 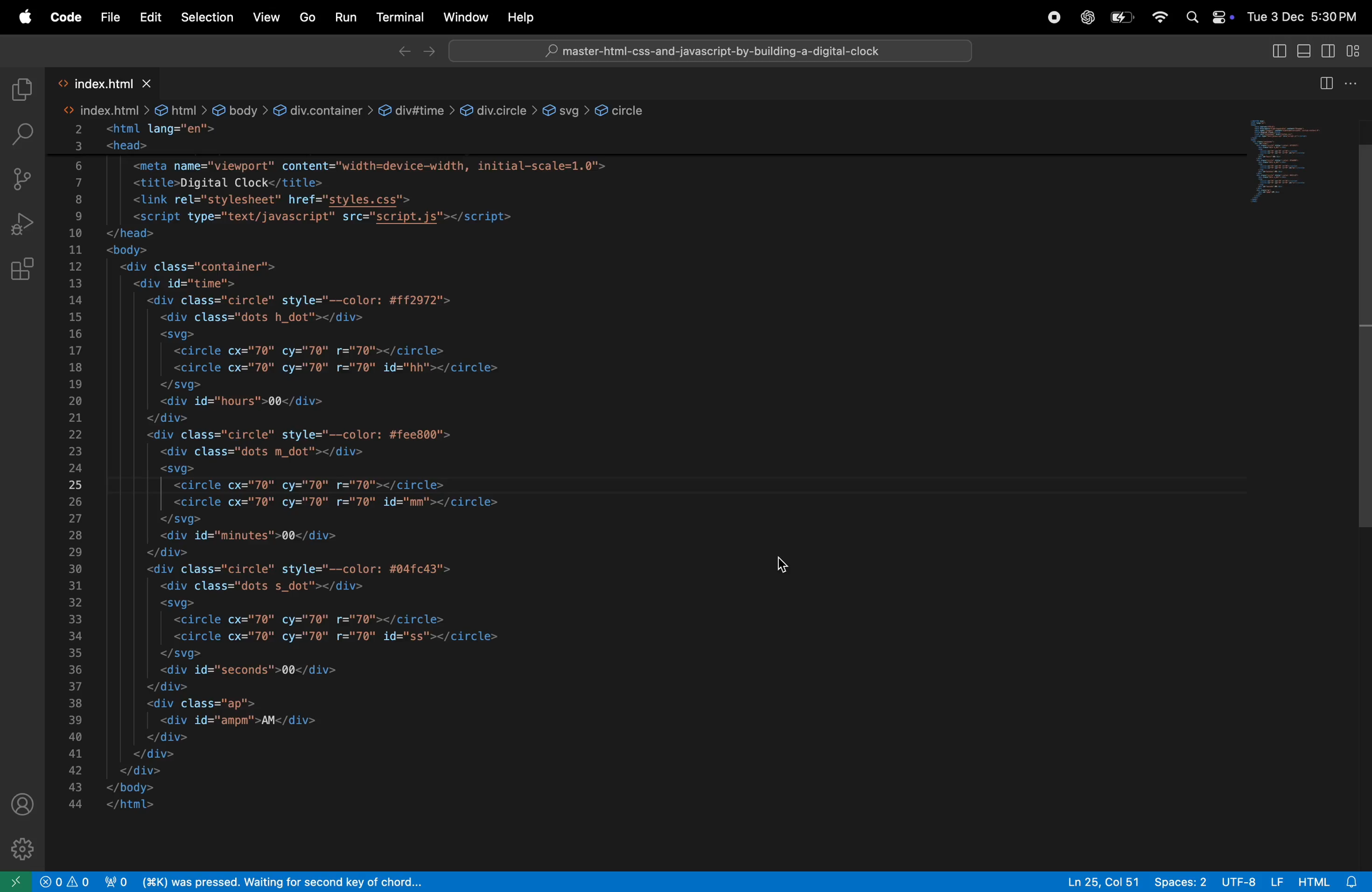 I want to click on window, so click(x=464, y=19).